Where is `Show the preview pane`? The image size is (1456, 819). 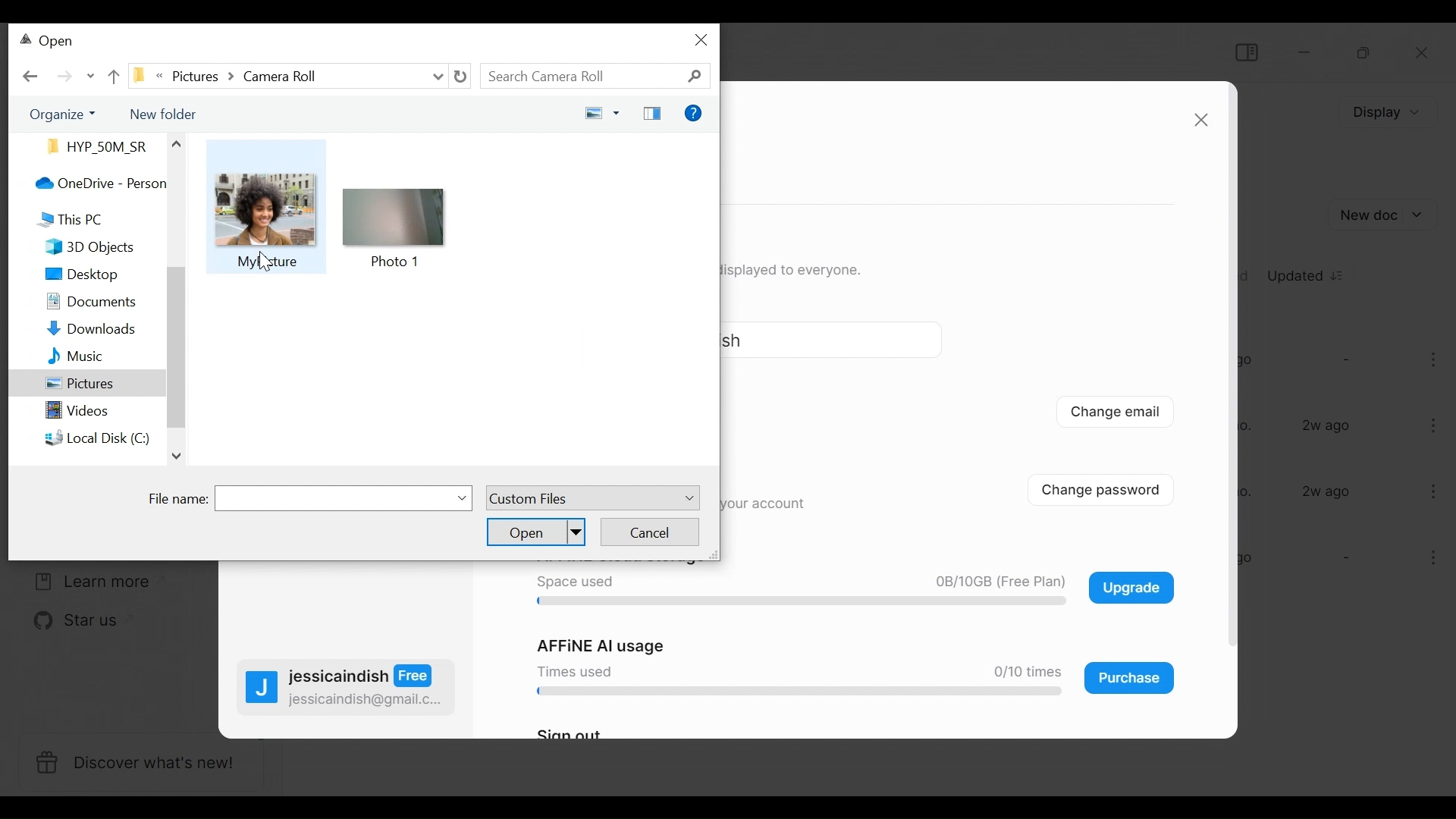
Show the preview pane is located at coordinates (652, 115).